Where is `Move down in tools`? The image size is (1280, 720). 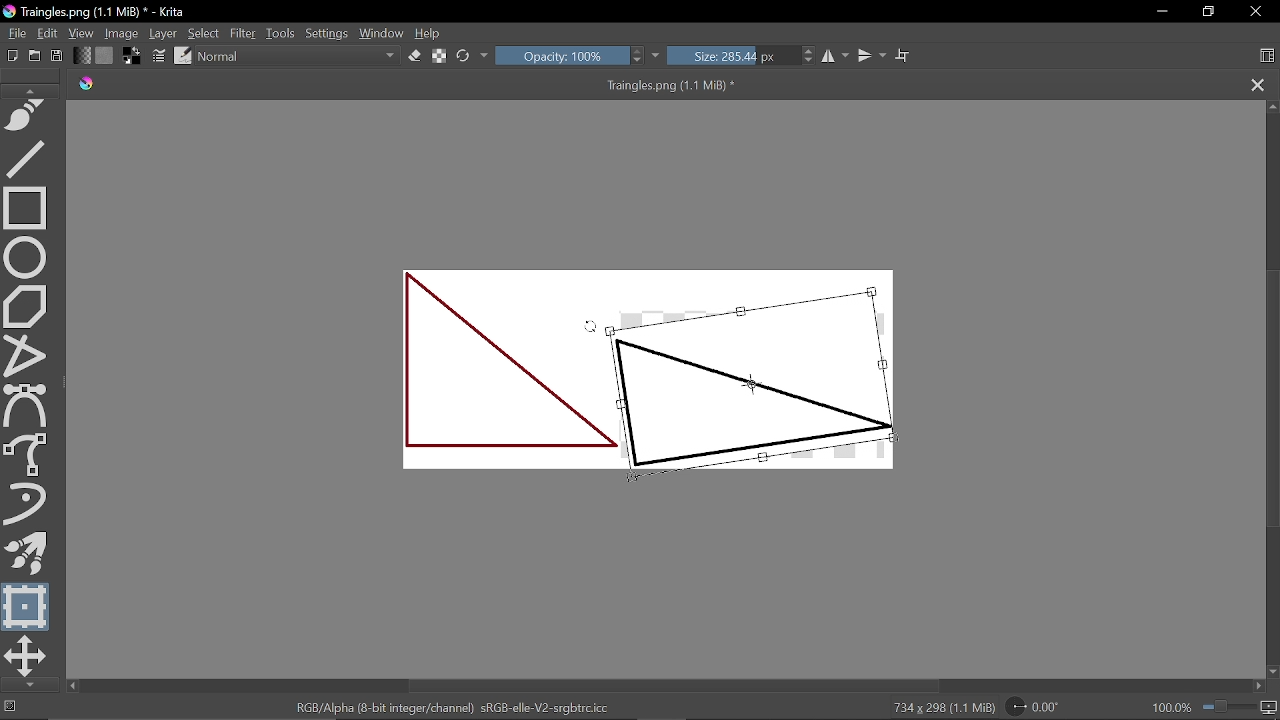
Move down in tools is located at coordinates (26, 685).